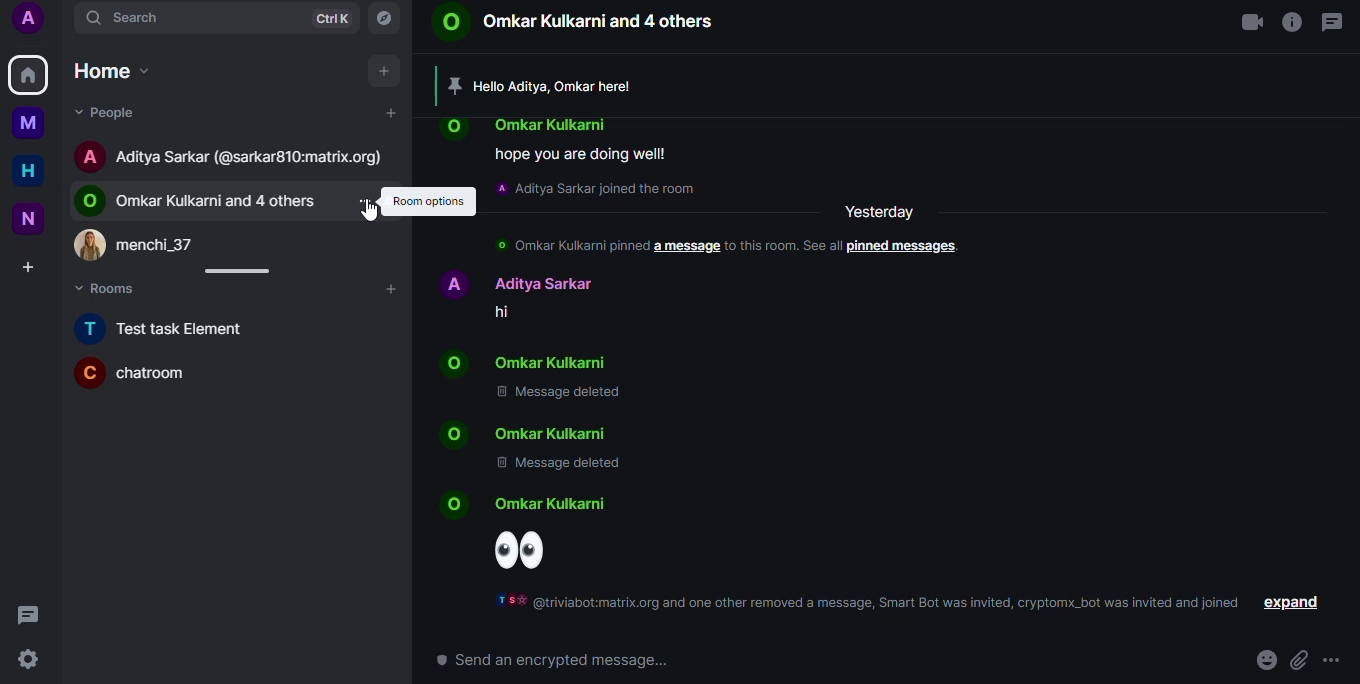 The width and height of the screenshot is (1360, 684). What do you see at coordinates (1334, 22) in the screenshot?
I see `message` at bounding box center [1334, 22].